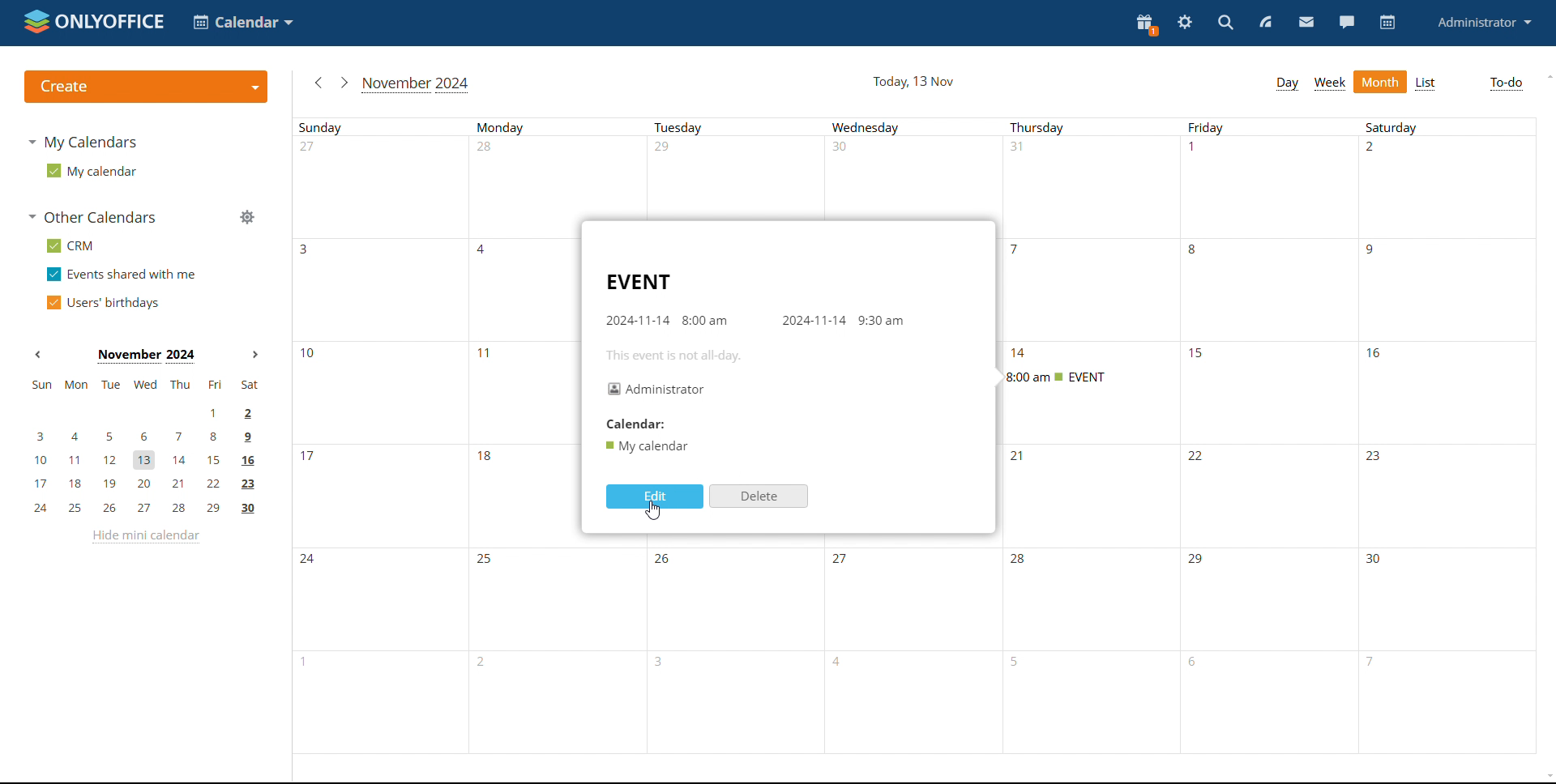 This screenshot has width=1556, height=784. Describe the element at coordinates (1546, 776) in the screenshot. I see `scroll down` at that location.